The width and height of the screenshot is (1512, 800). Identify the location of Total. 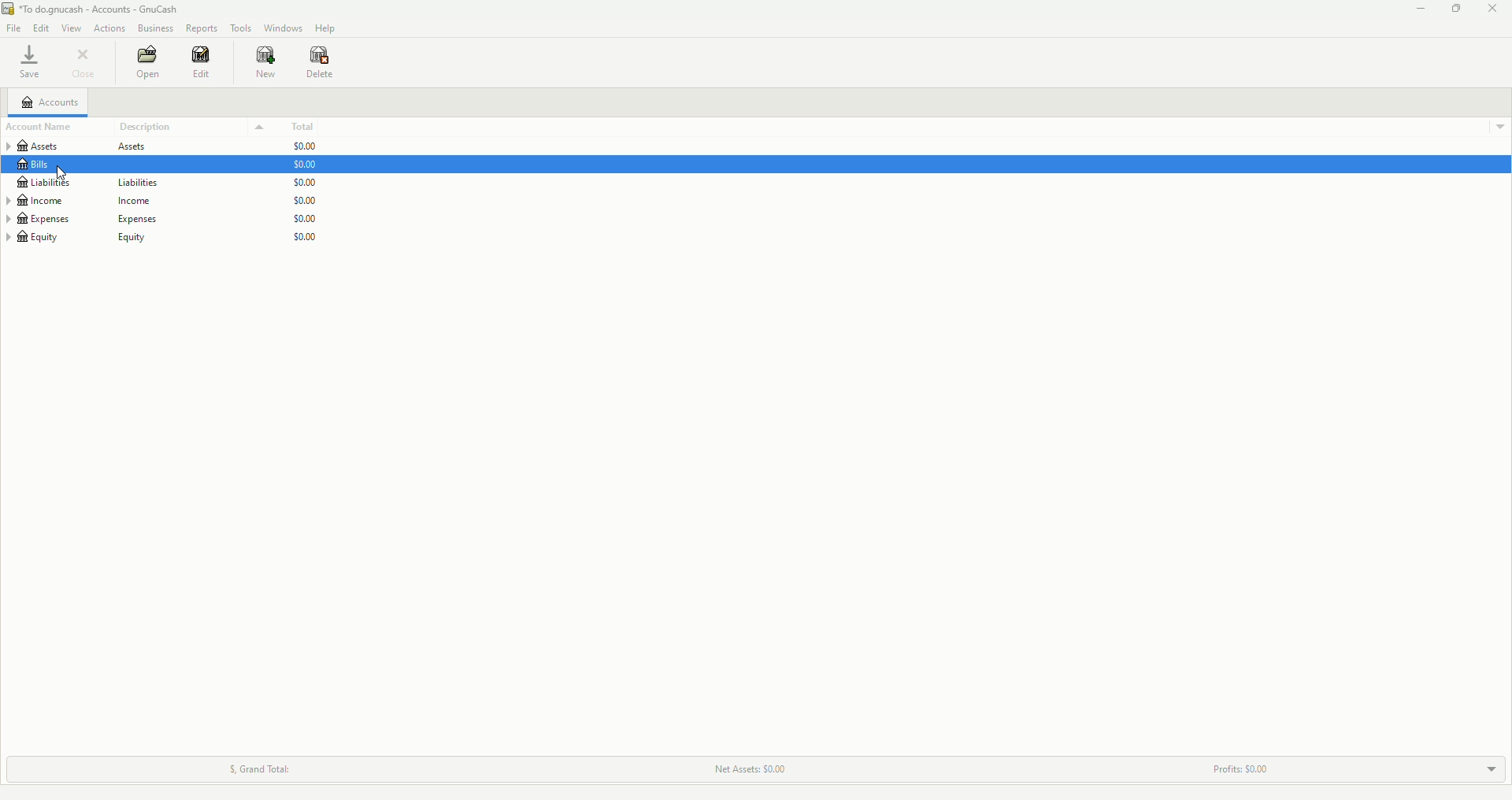
(309, 127).